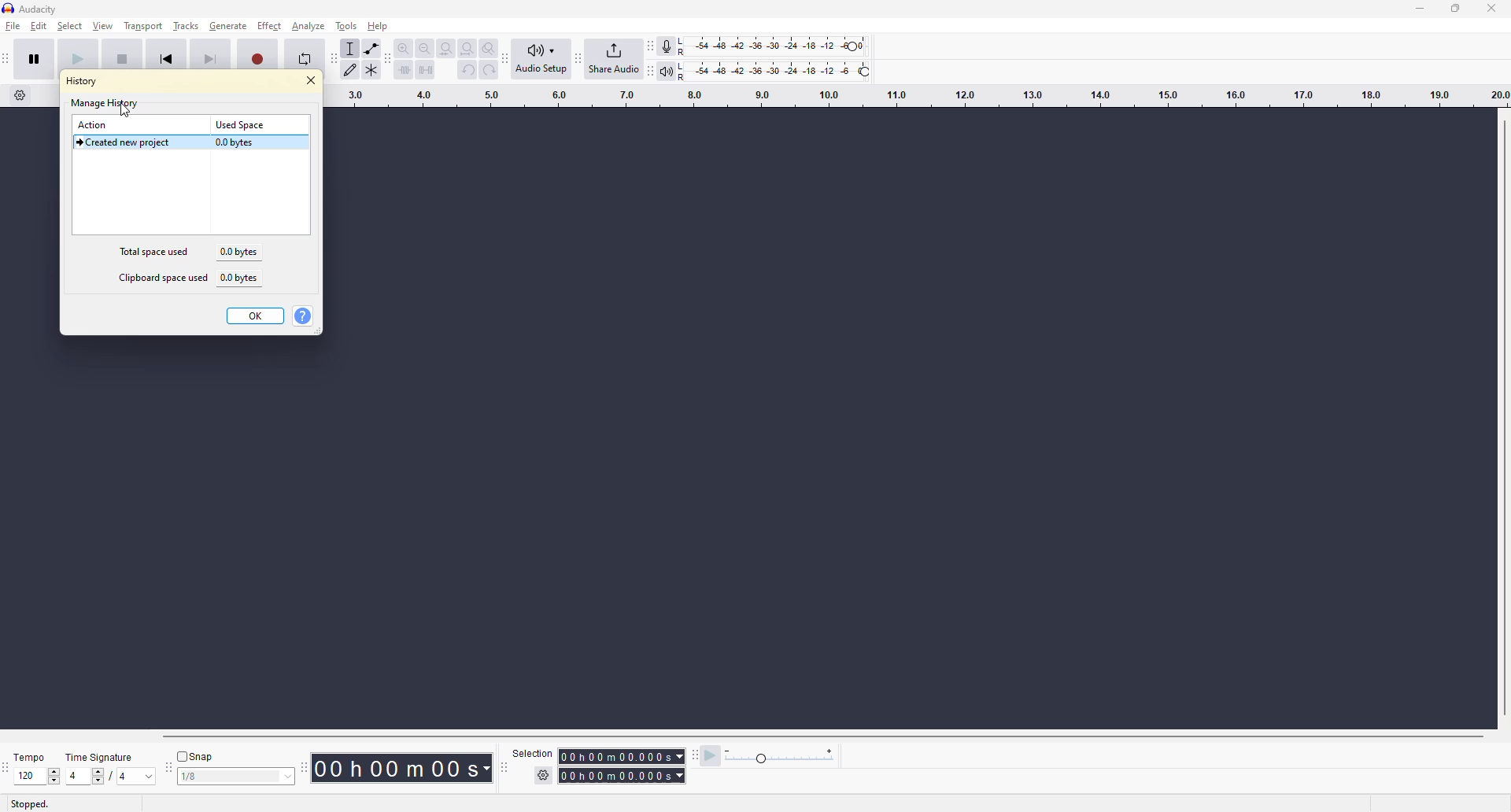 This screenshot has width=1511, height=812. I want to click on minimize, so click(1417, 13).